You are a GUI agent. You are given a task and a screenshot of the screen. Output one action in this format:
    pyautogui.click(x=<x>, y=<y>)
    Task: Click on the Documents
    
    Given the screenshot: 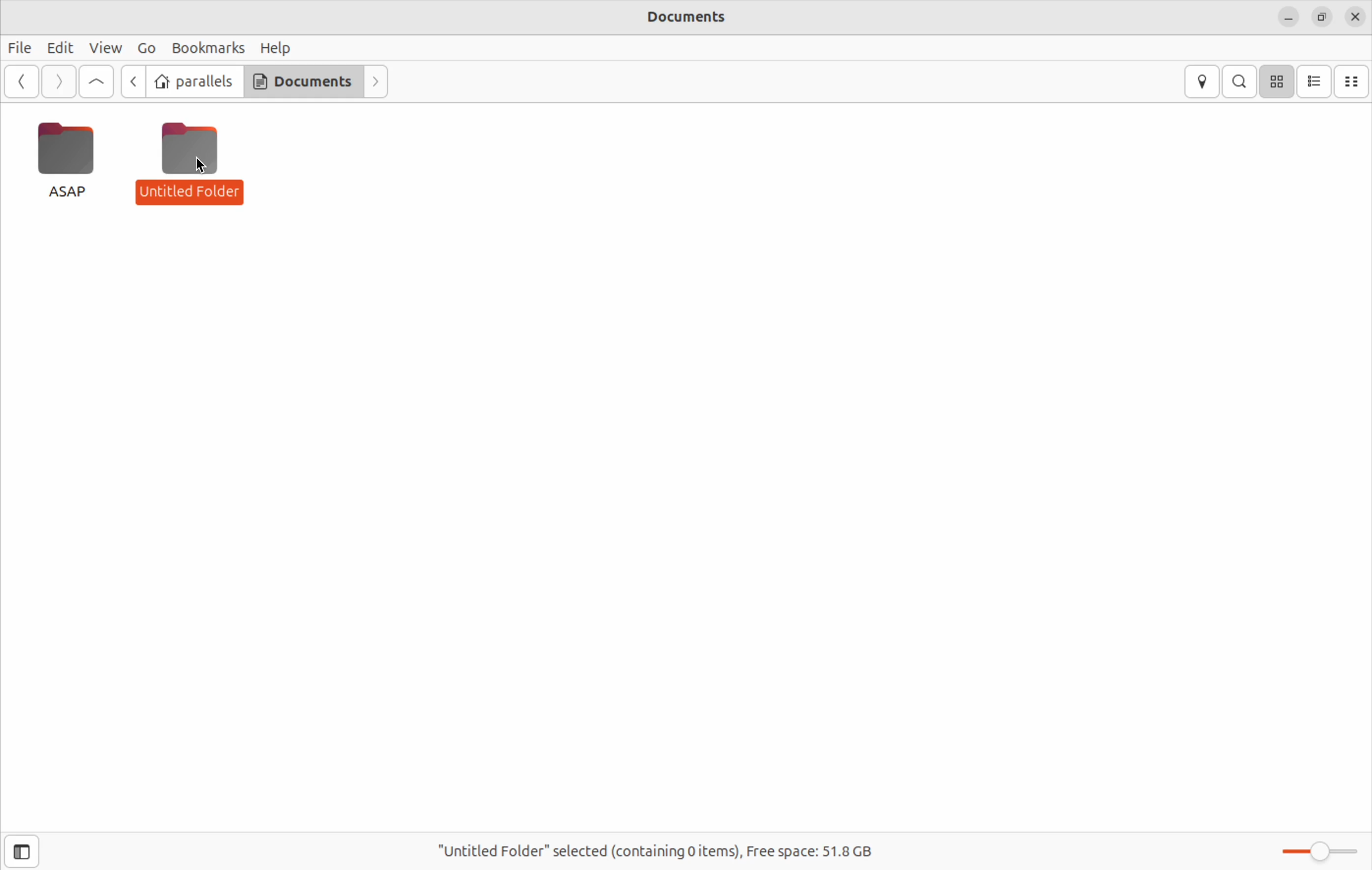 What is the action you would take?
    pyautogui.click(x=679, y=16)
    